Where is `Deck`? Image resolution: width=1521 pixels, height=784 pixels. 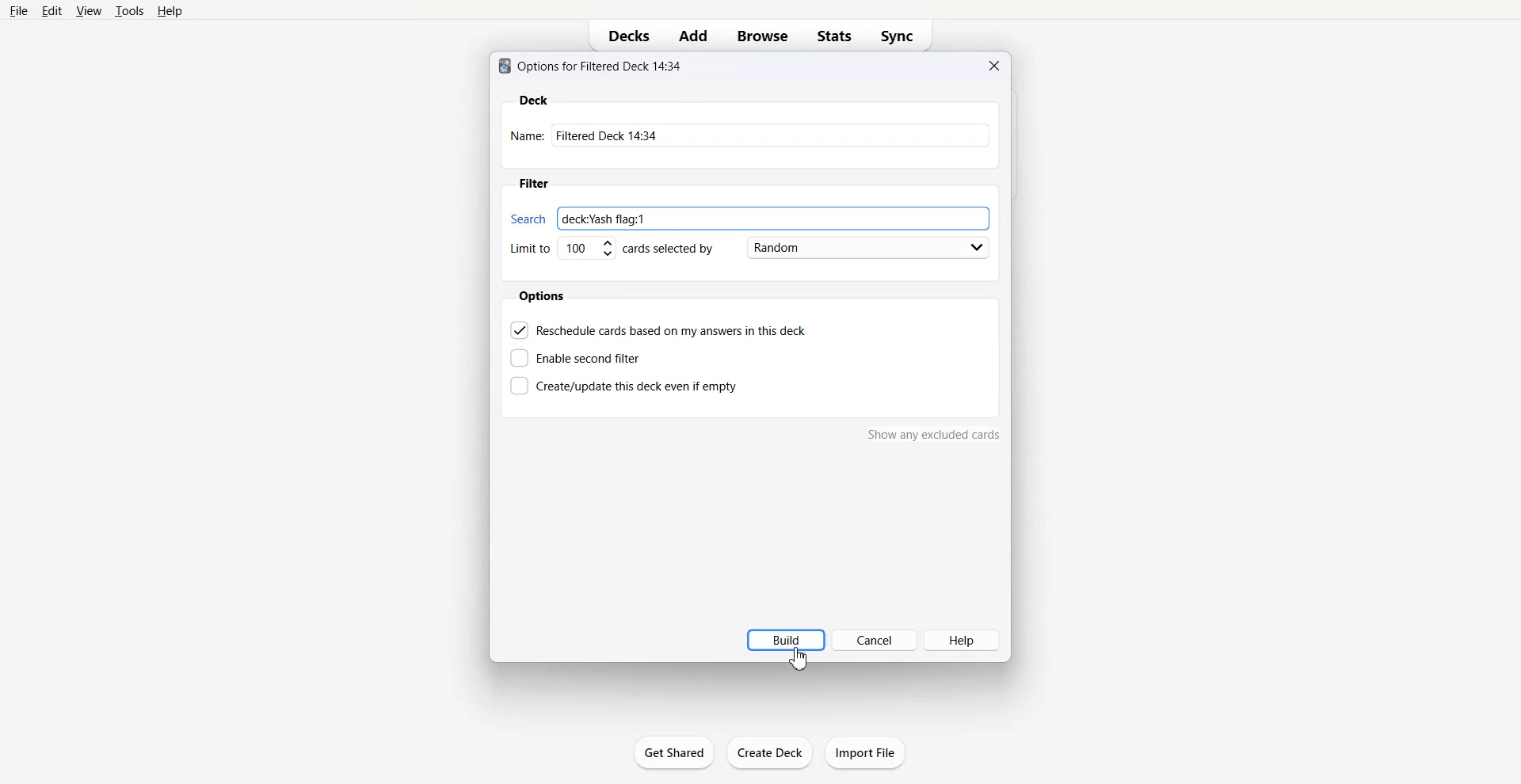 Deck is located at coordinates (534, 99).